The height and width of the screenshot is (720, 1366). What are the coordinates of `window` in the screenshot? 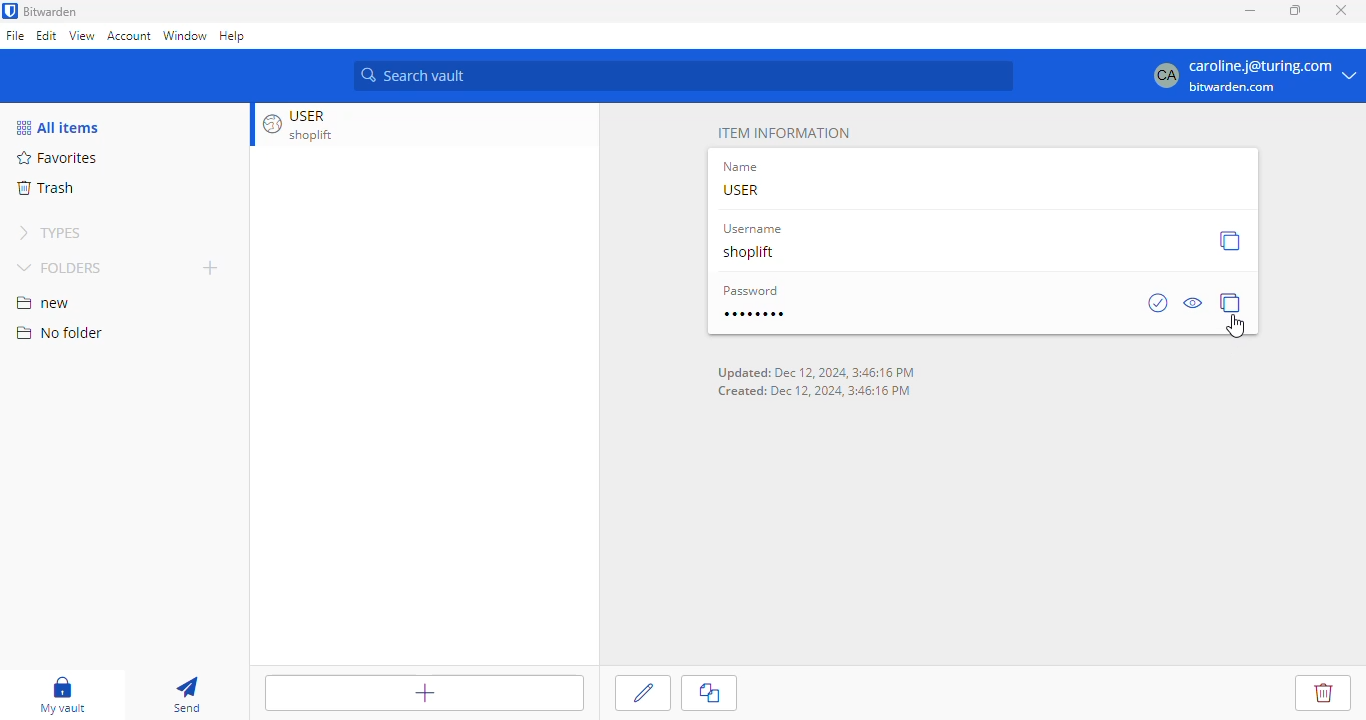 It's located at (186, 39).